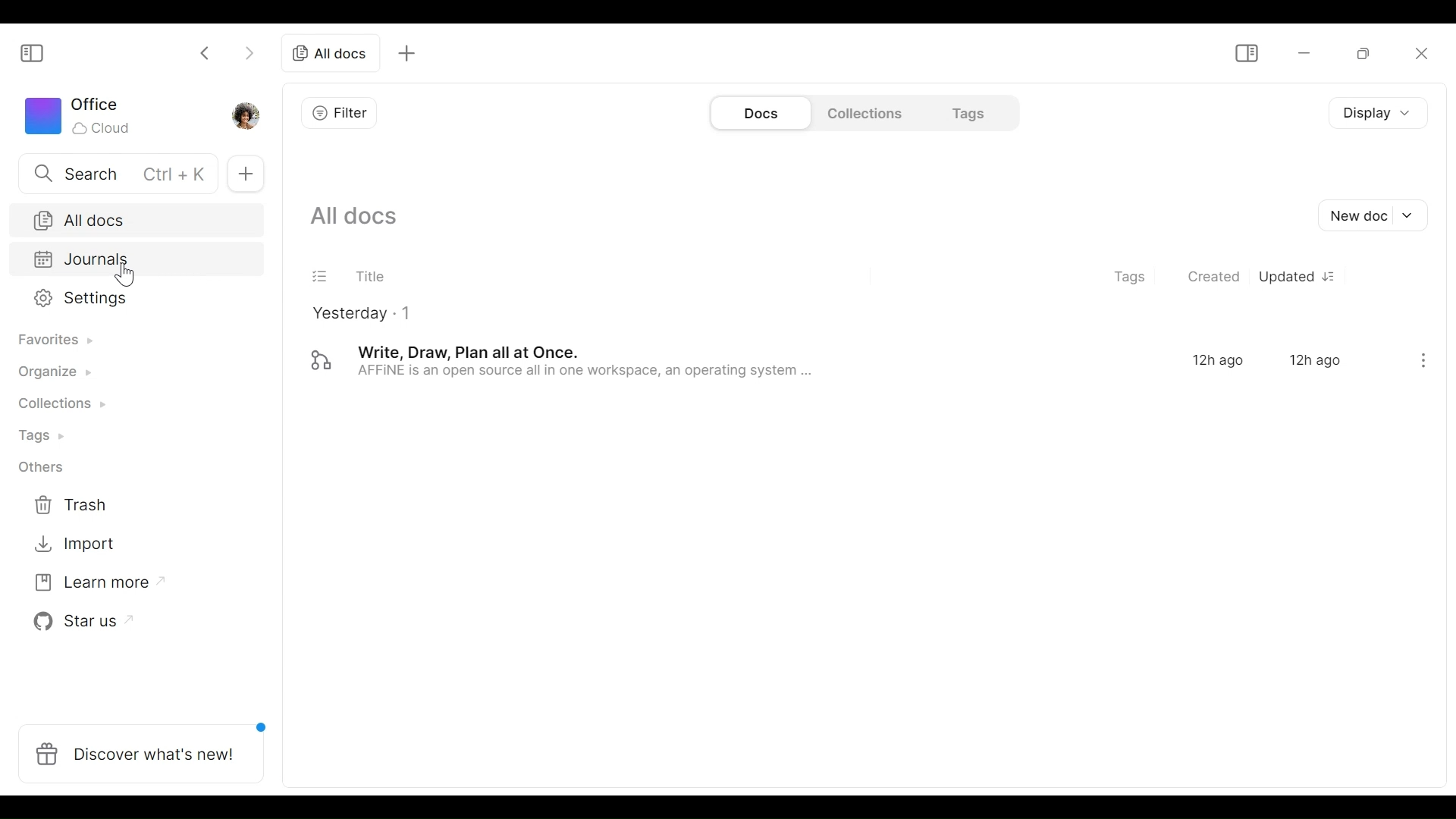  What do you see at coordinates (762, 113) in the screenshot?
I see `Documents` at bounding box center [762, 113].